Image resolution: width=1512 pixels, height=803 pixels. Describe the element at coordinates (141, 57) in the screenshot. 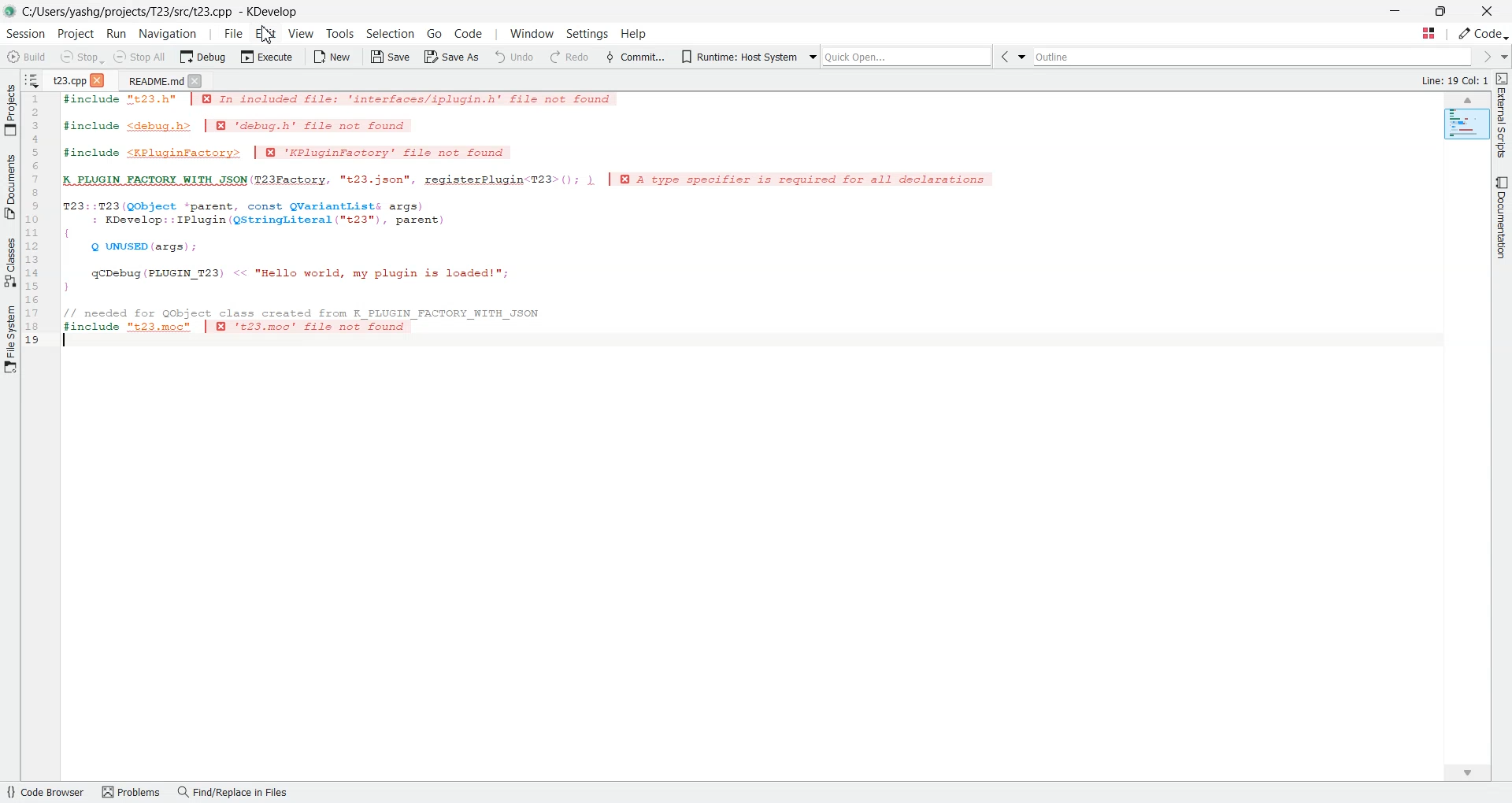

I see `Stop All` at that location.